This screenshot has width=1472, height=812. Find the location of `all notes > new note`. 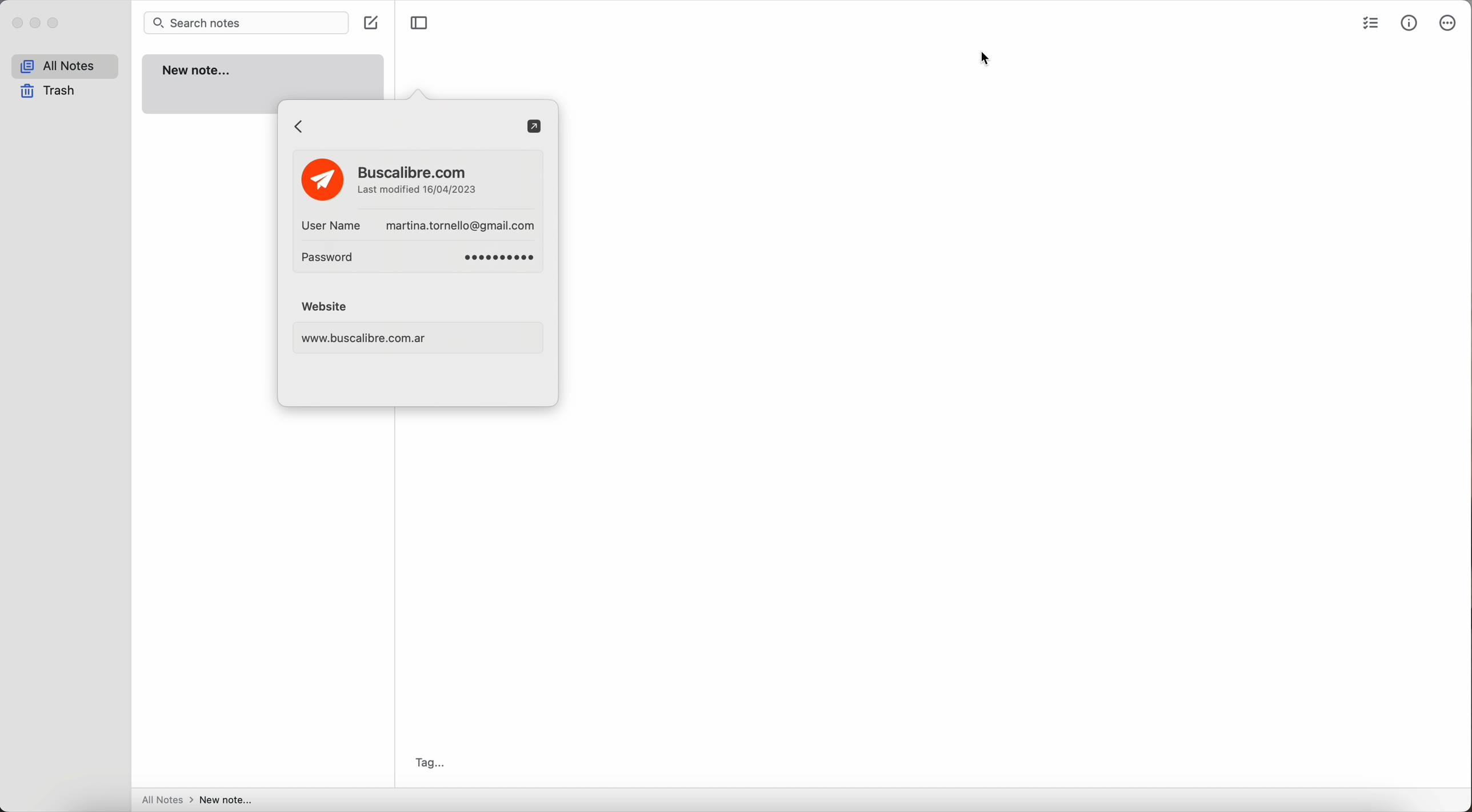

all notes > new note is located at coordinates (197, 801).